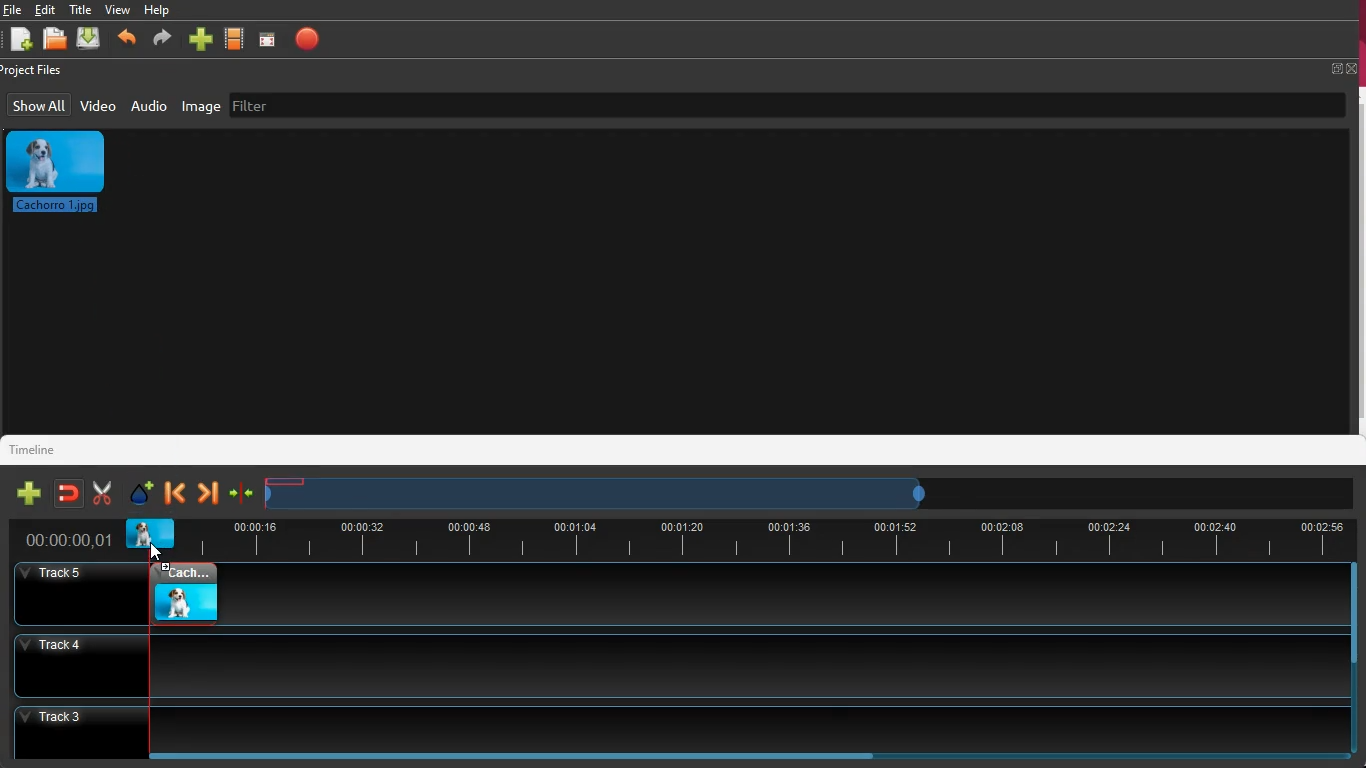 The width and height of the screenshot is (1366, 768). Describe the element at coordinates (102, 493) in the screenshot. I see `cut` at that location.